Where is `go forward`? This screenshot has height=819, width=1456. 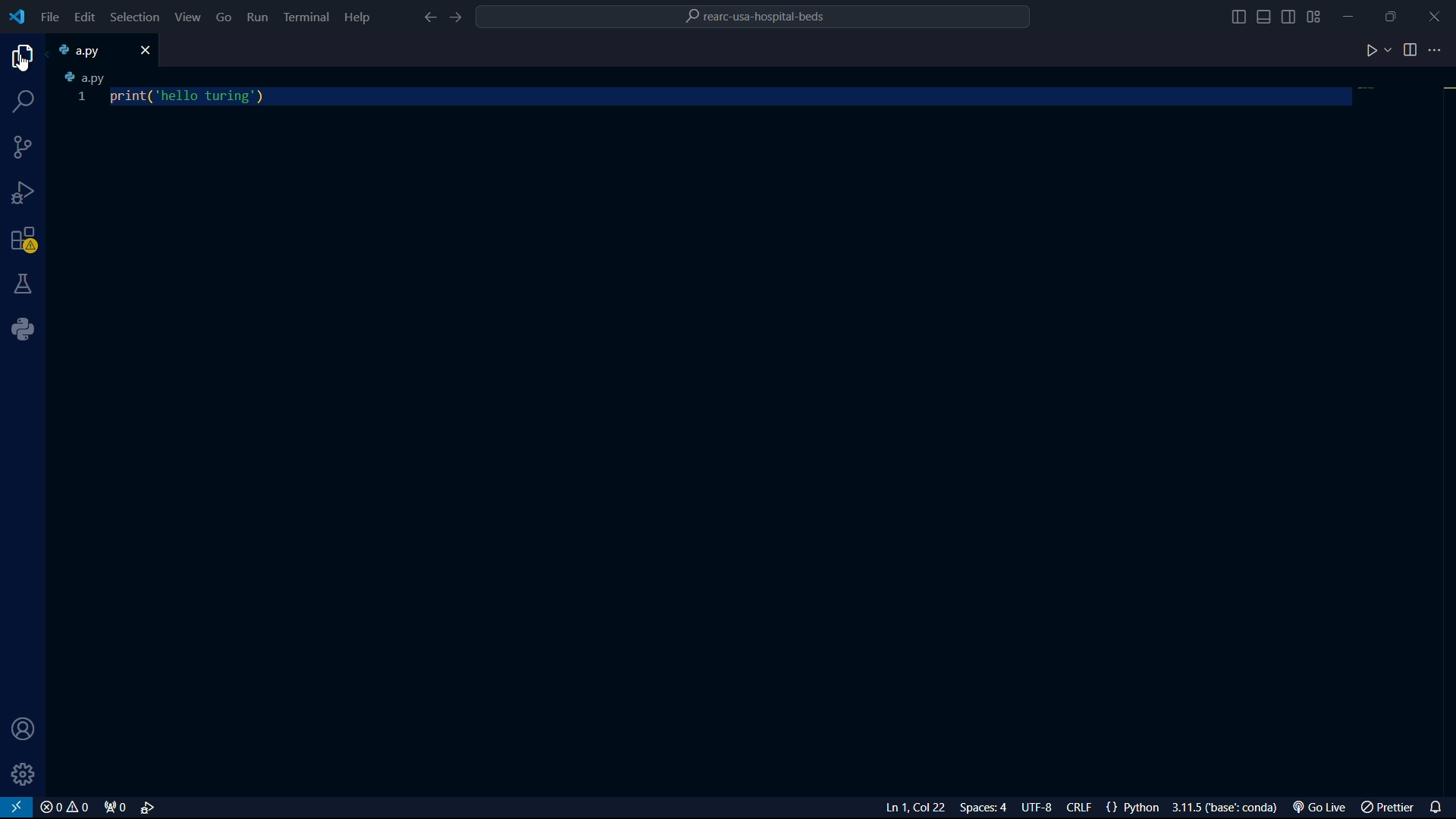 go forward is located at coordinates (455, 17).